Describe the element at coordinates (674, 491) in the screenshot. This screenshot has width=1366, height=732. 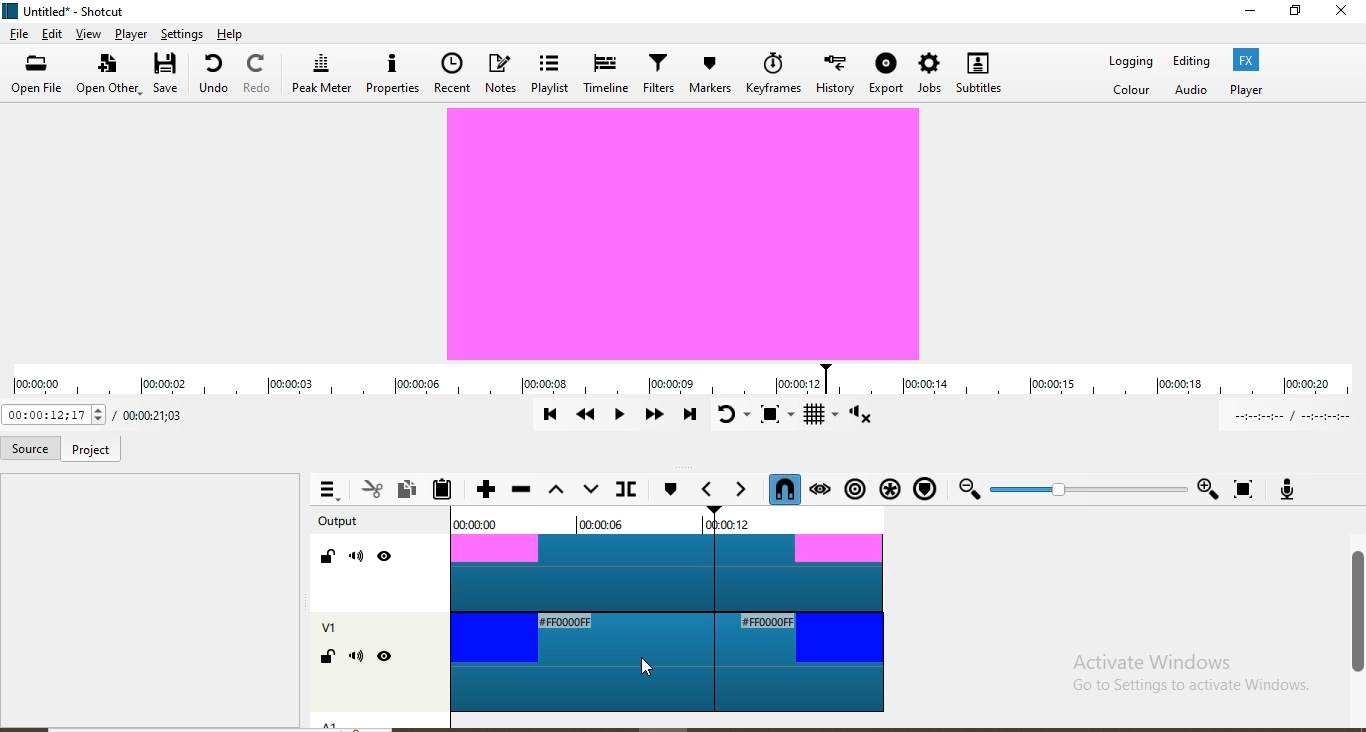
I see `create/edit marker` at that location.